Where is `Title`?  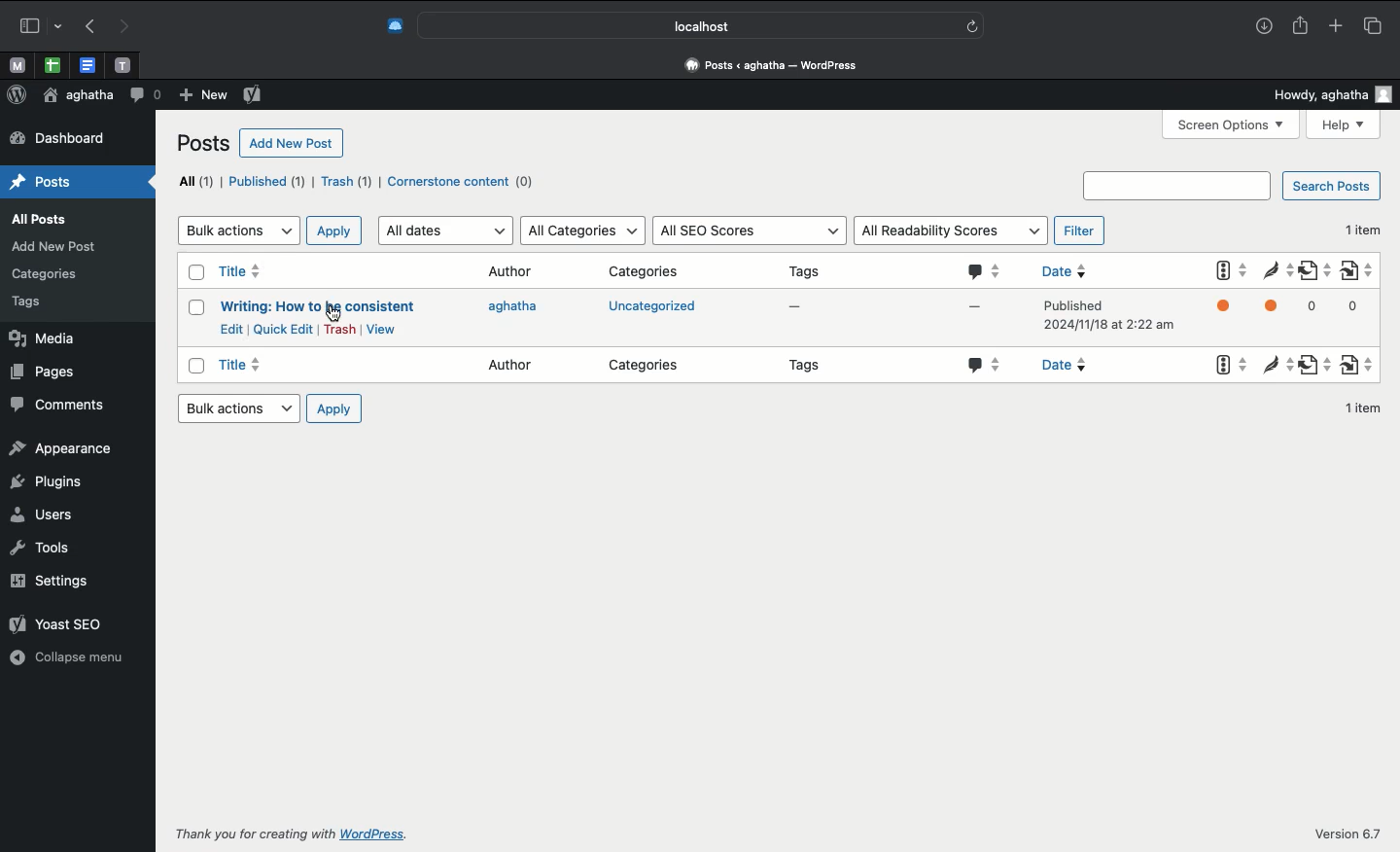
Title is located at coordinates (243, 365).